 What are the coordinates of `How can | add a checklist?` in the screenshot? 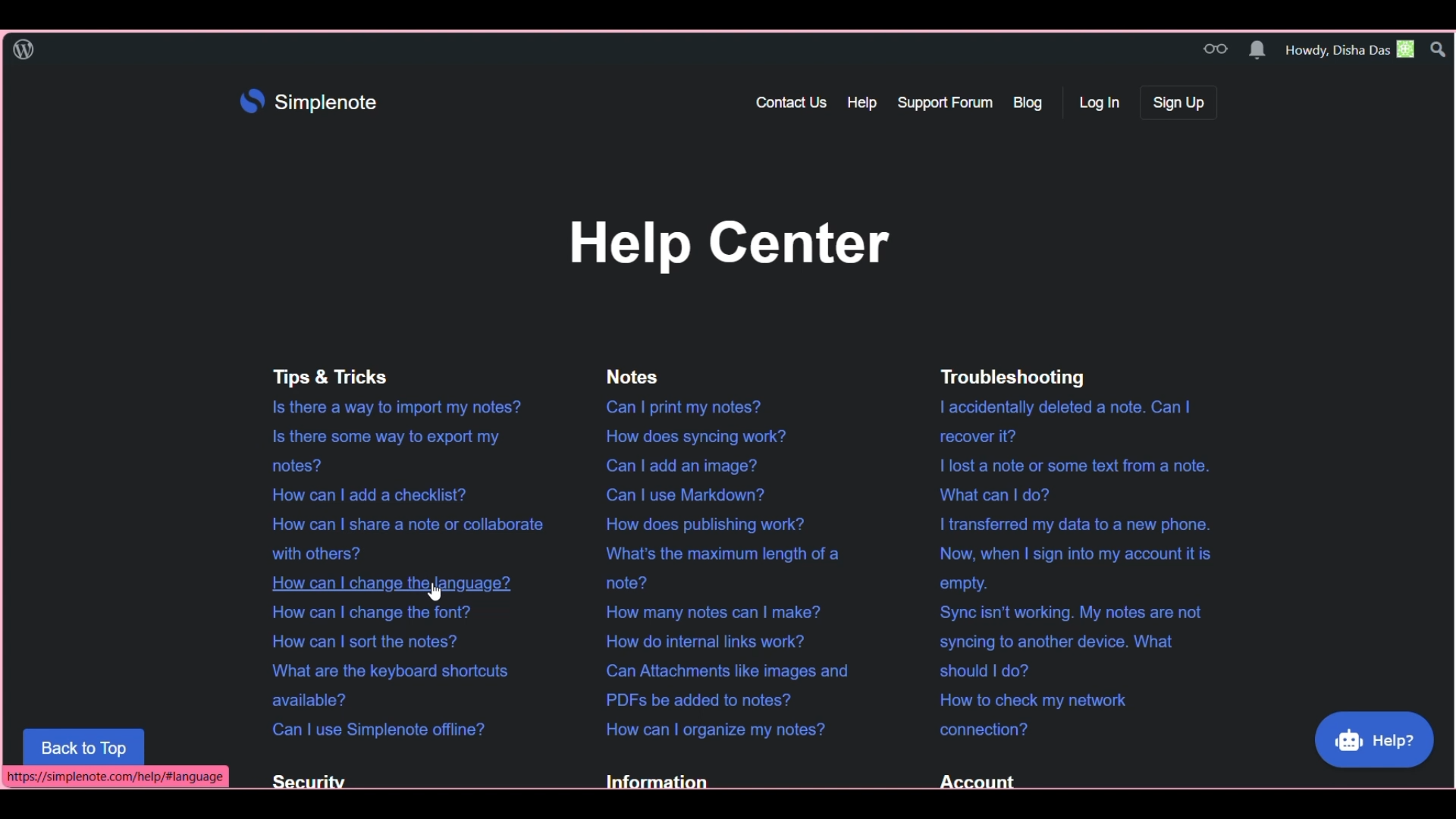 It's located at (366, 494).